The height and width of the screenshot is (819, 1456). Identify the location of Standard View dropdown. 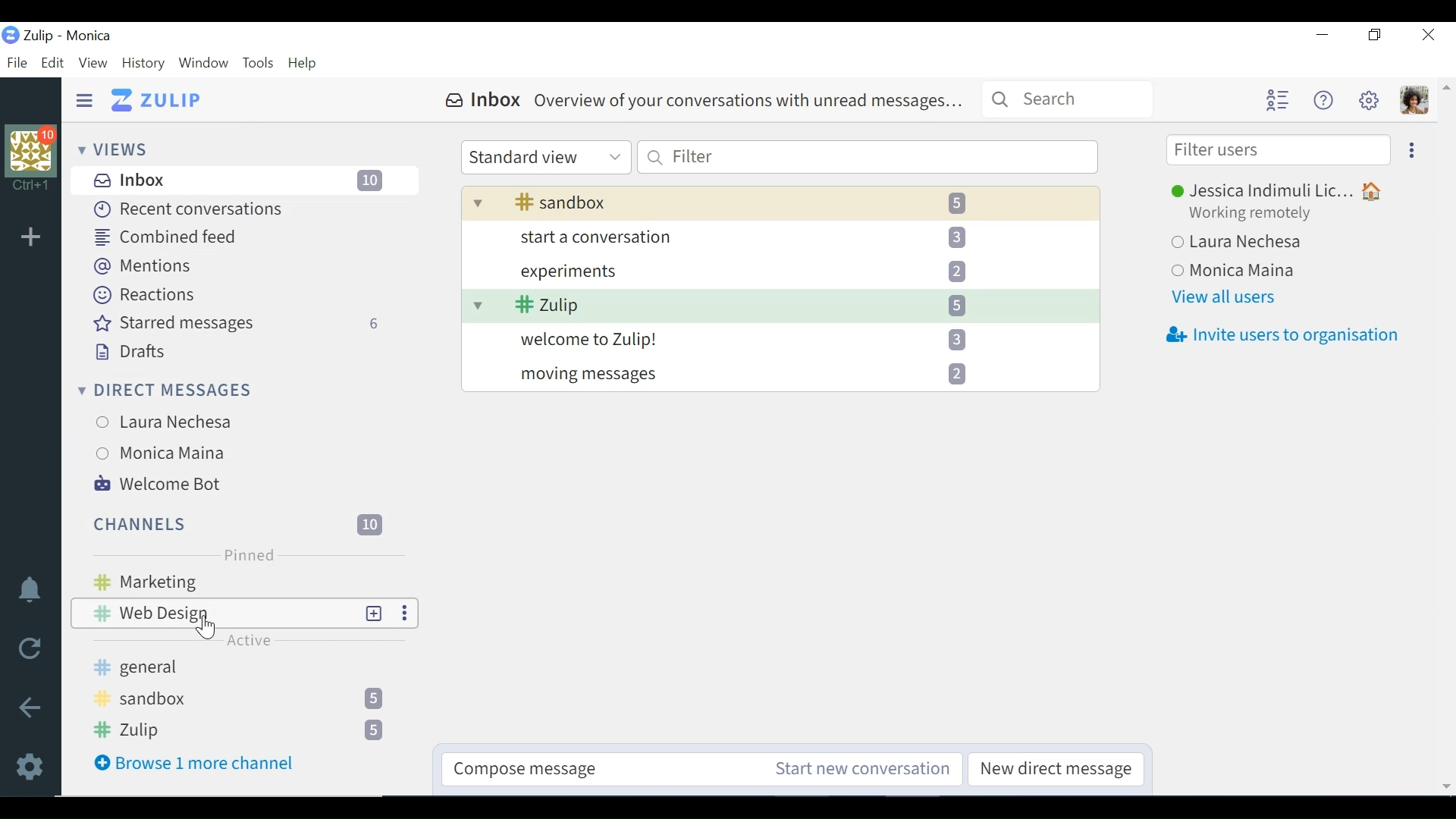
(545, 158).